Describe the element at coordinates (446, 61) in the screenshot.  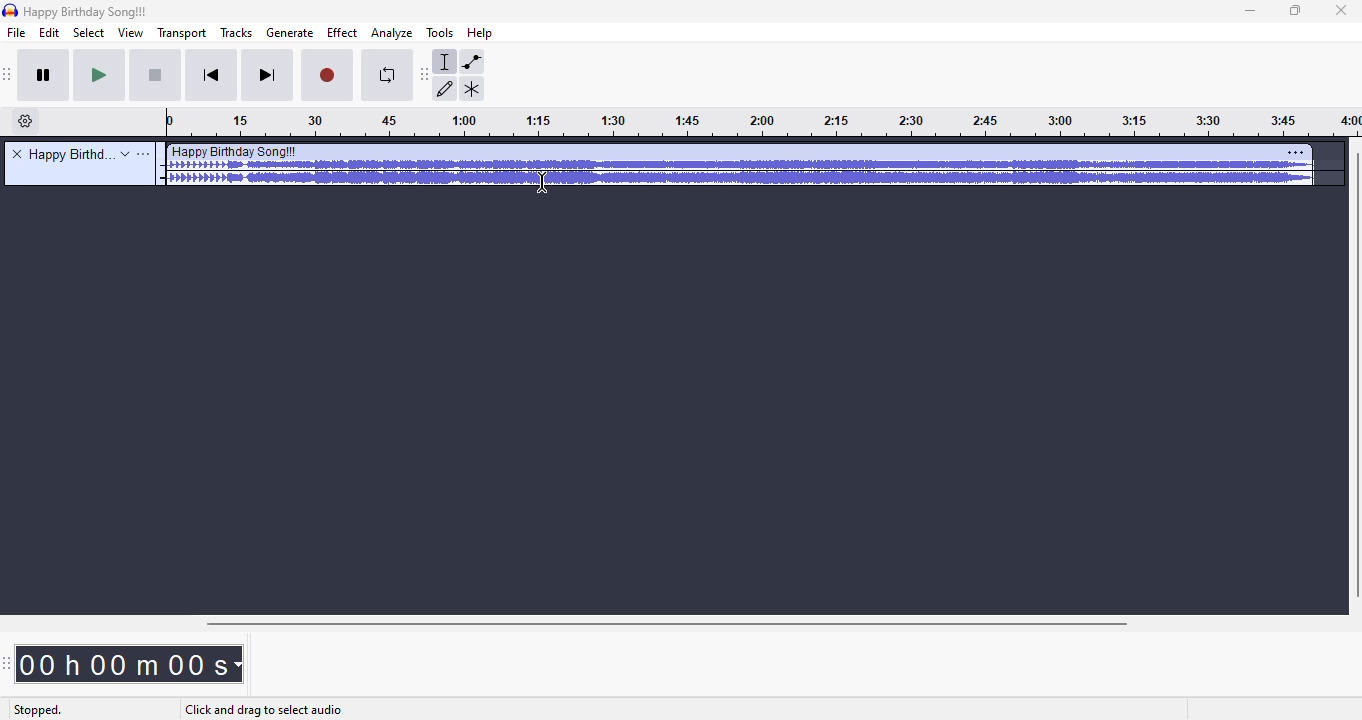
I see `selection tool` at that location.